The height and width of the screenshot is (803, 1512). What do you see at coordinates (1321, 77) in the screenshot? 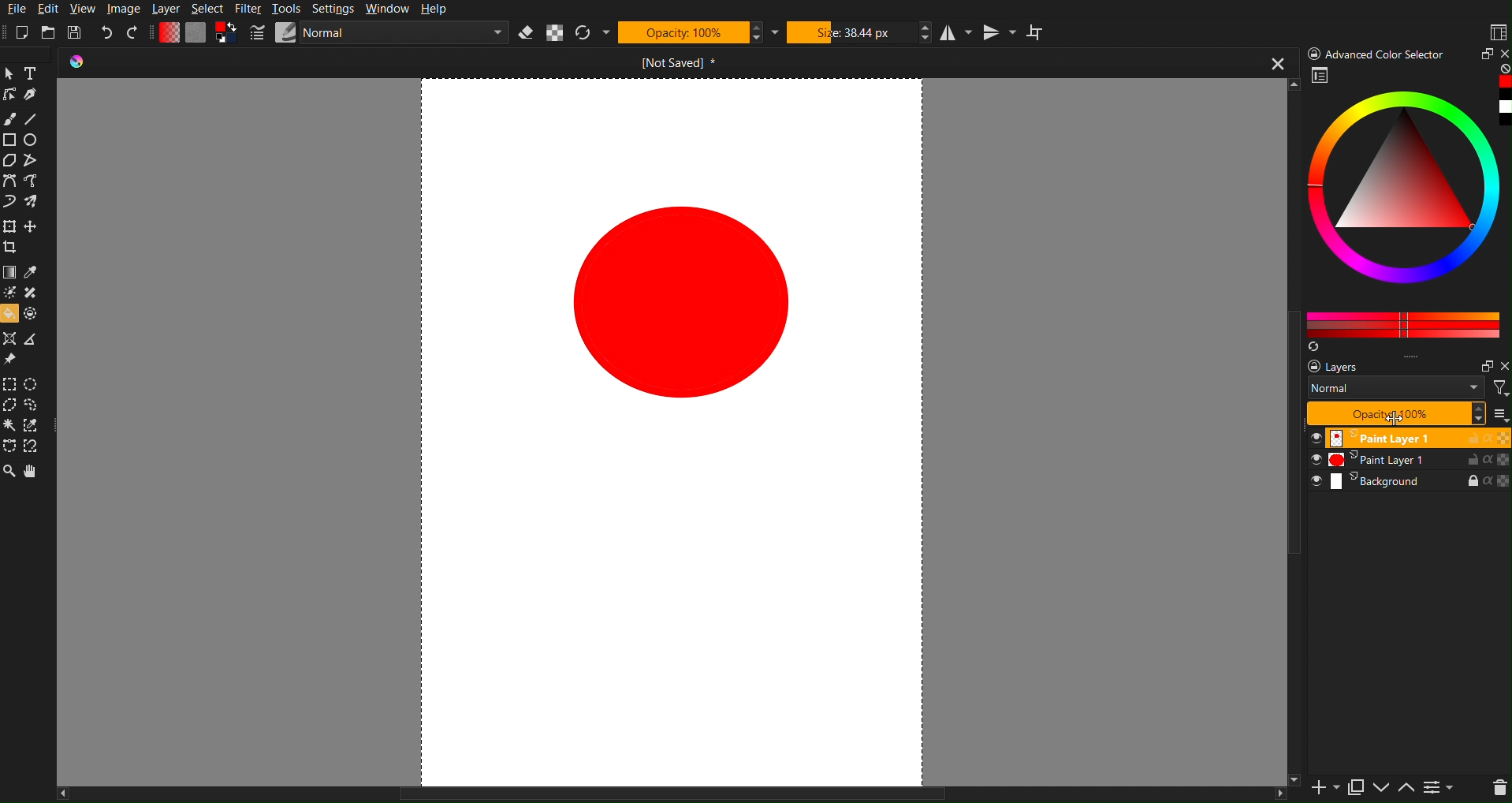
I see `Picker` at bounding box center [1321, 77].